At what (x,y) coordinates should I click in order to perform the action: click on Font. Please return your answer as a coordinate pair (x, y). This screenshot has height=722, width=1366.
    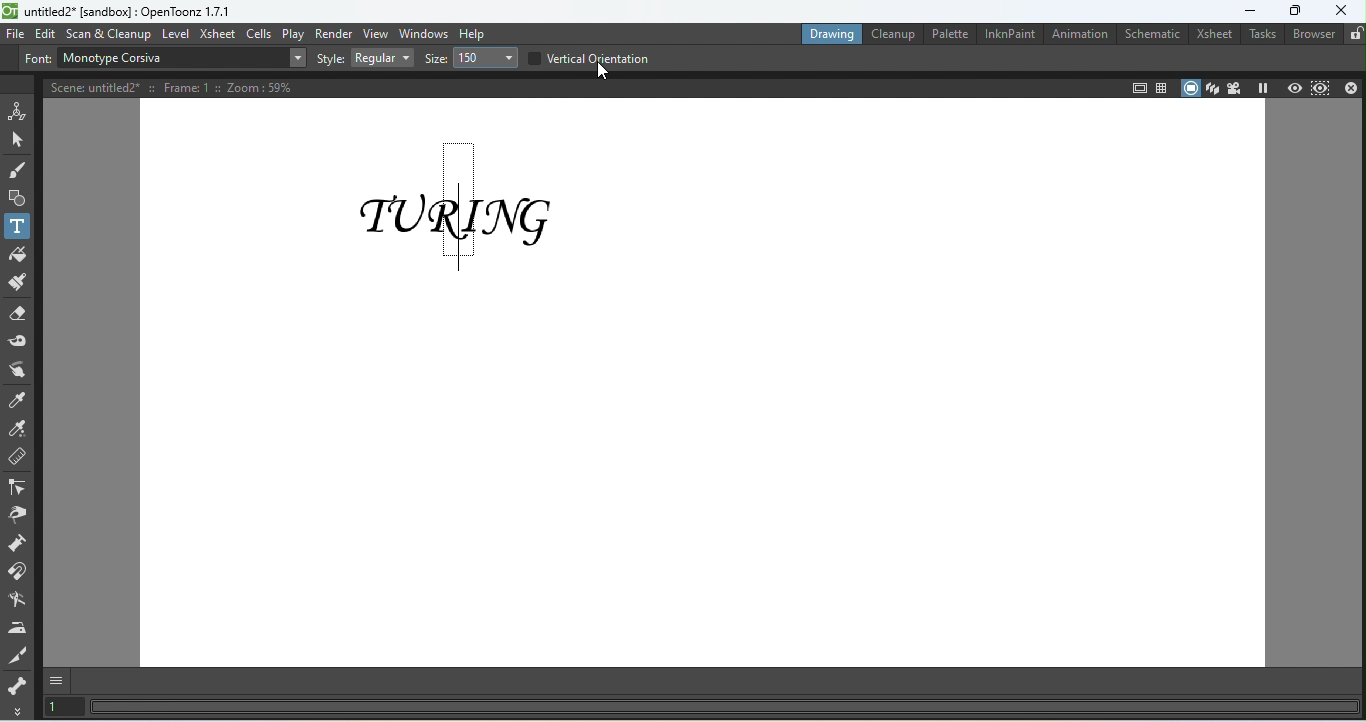
    Looking at the image, I should click on (36, 60).